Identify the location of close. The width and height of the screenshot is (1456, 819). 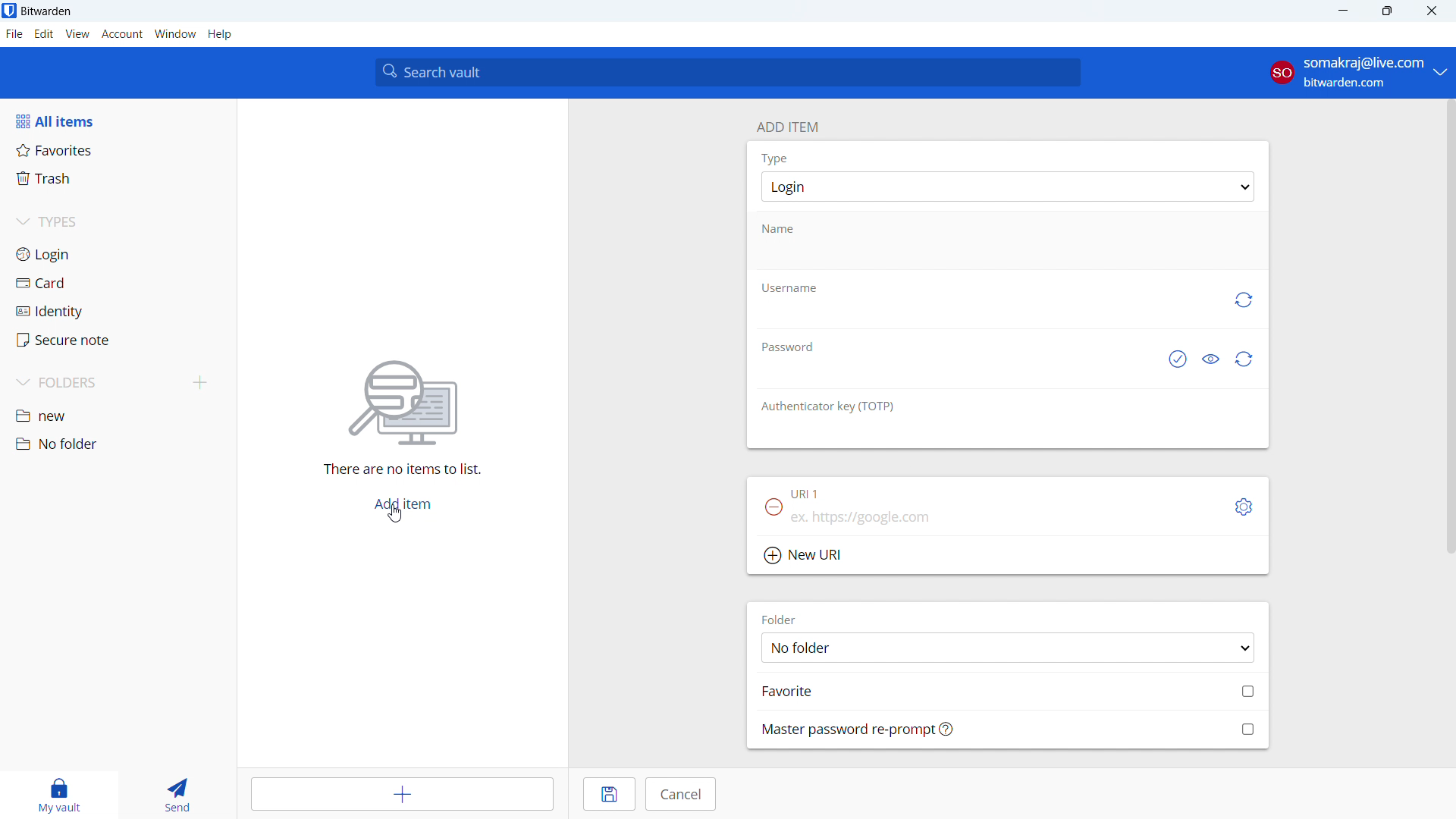
(1432, 11).